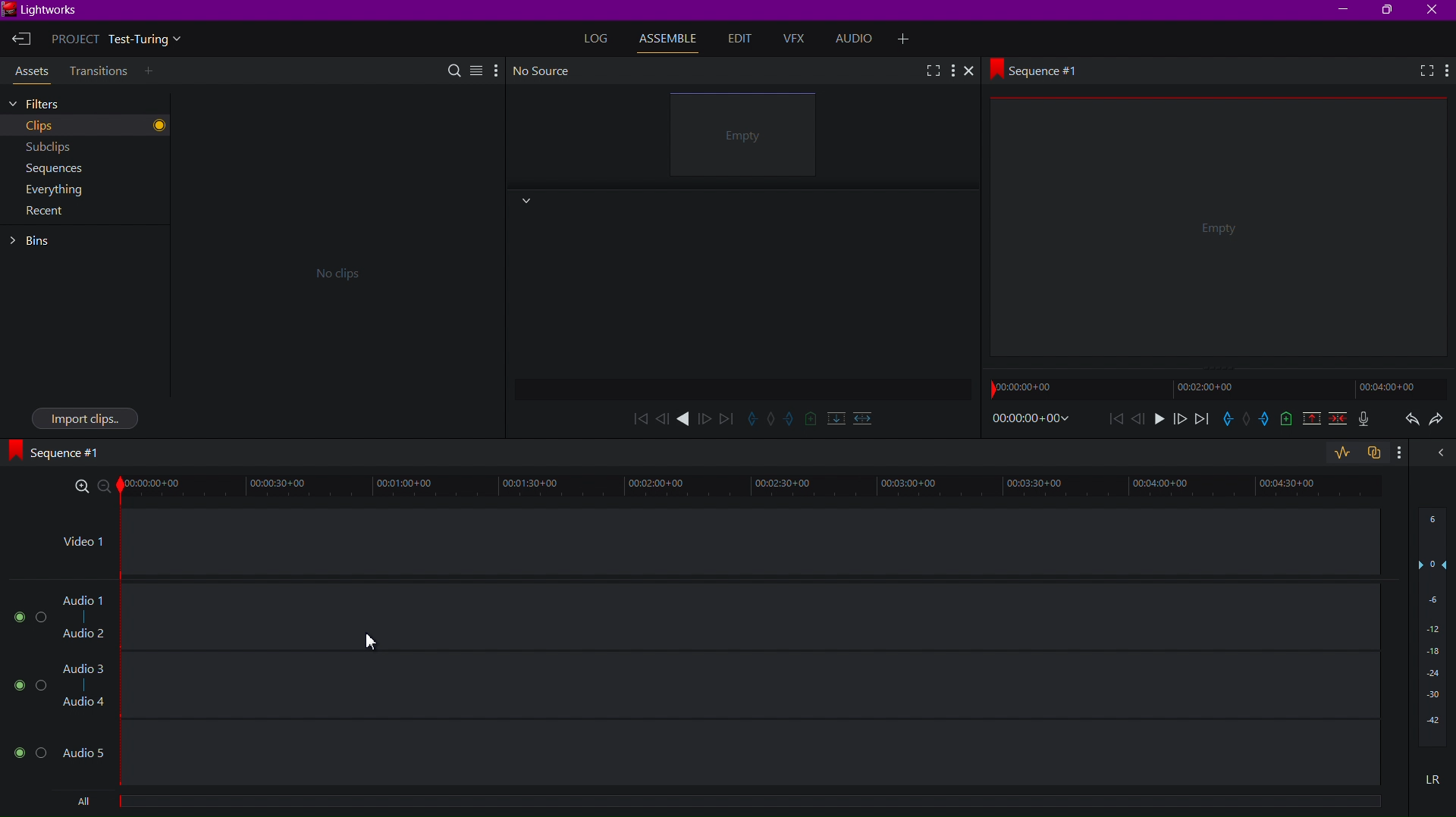 The image size is (1456, 817). What do you see at coordinates (833, 418) in the screenshot?
I see `vertical break` at bounding box center [833, 418].